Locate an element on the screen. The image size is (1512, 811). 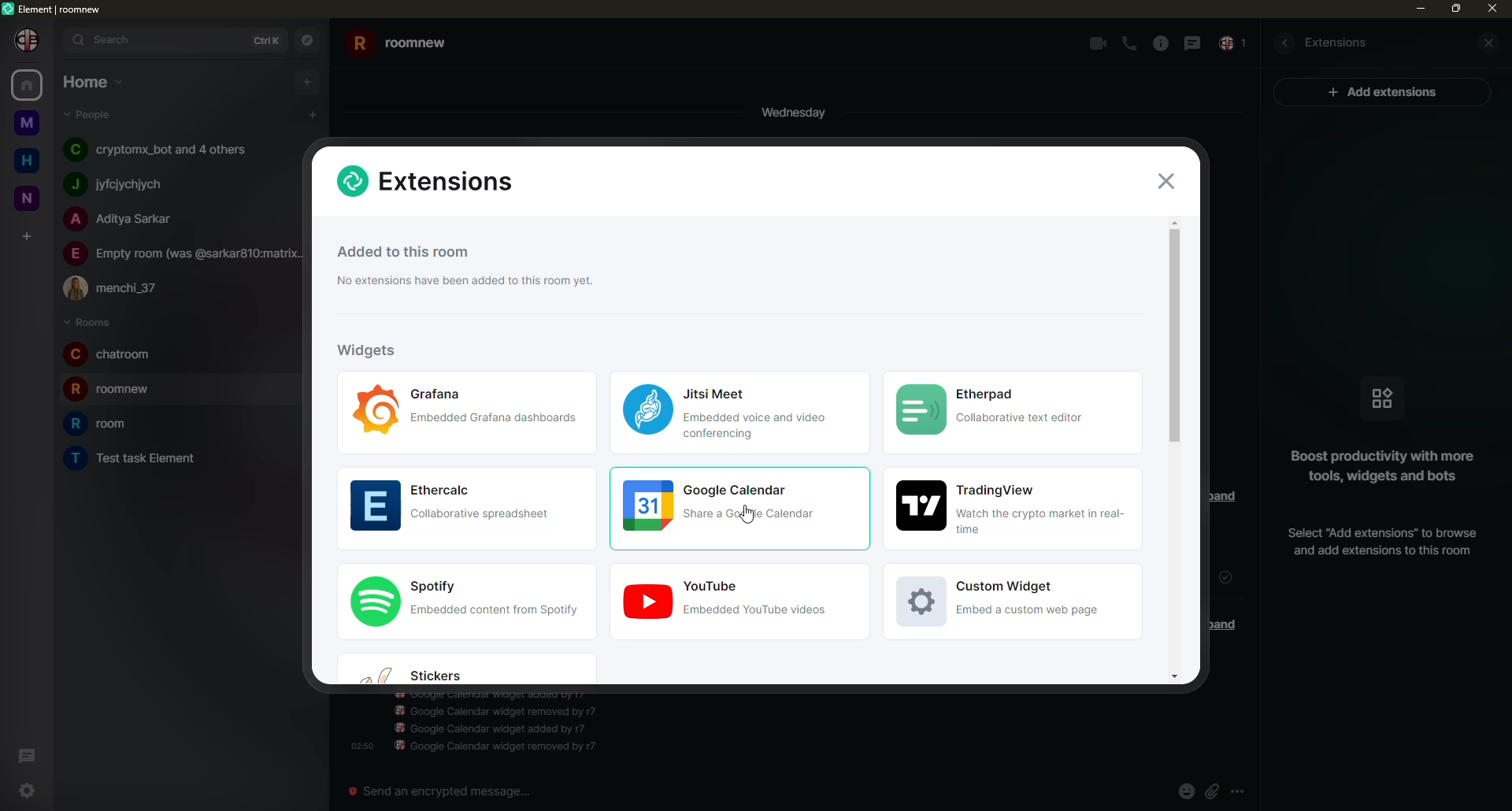
room is located at coordinates (400, 45).